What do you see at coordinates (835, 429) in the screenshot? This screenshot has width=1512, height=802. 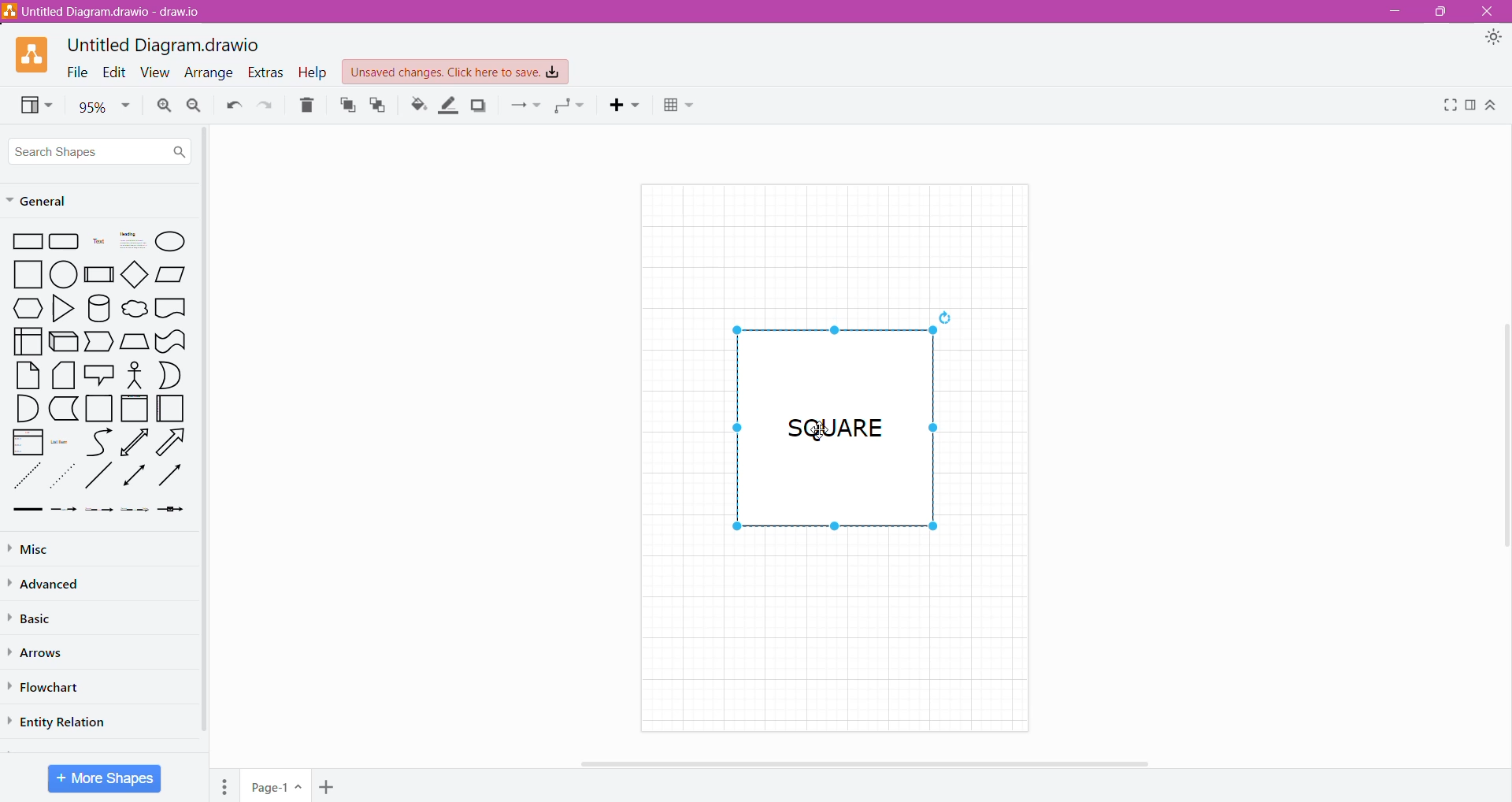 I see `Shape` at bounding box center [835, 429].